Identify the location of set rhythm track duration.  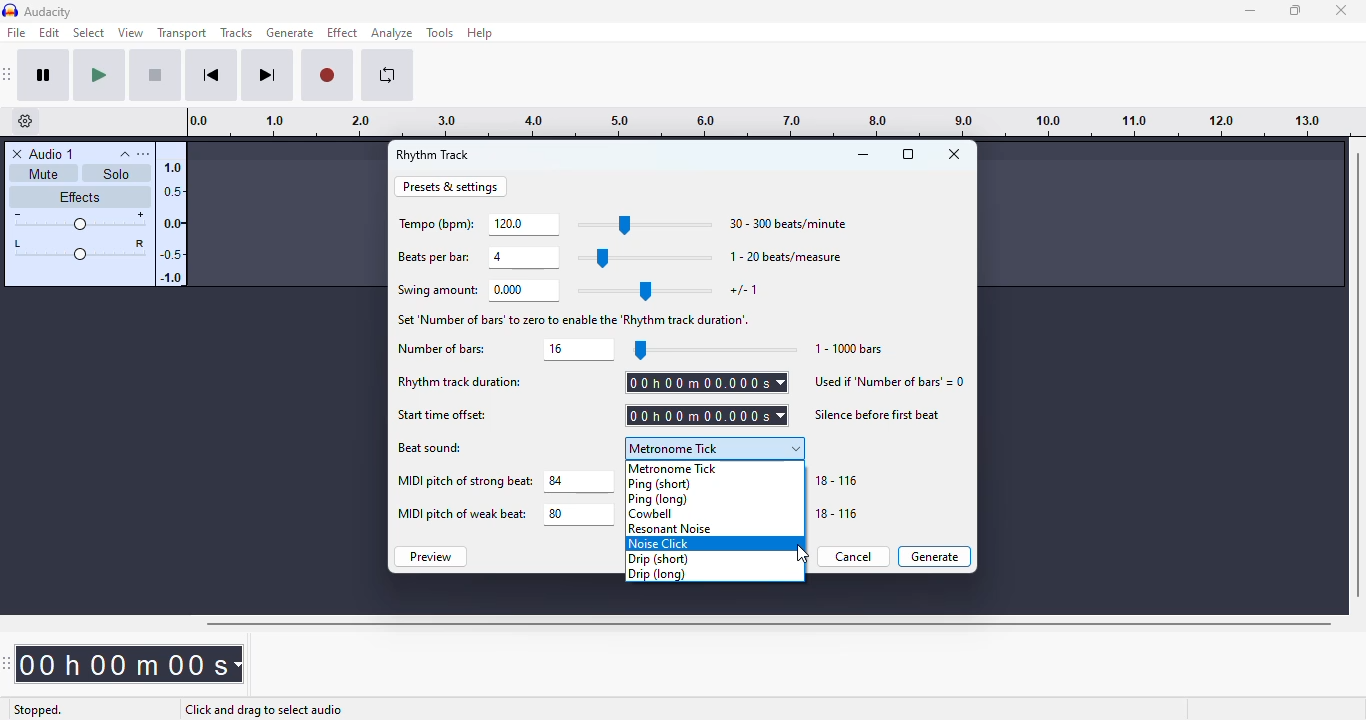
(706, 382).